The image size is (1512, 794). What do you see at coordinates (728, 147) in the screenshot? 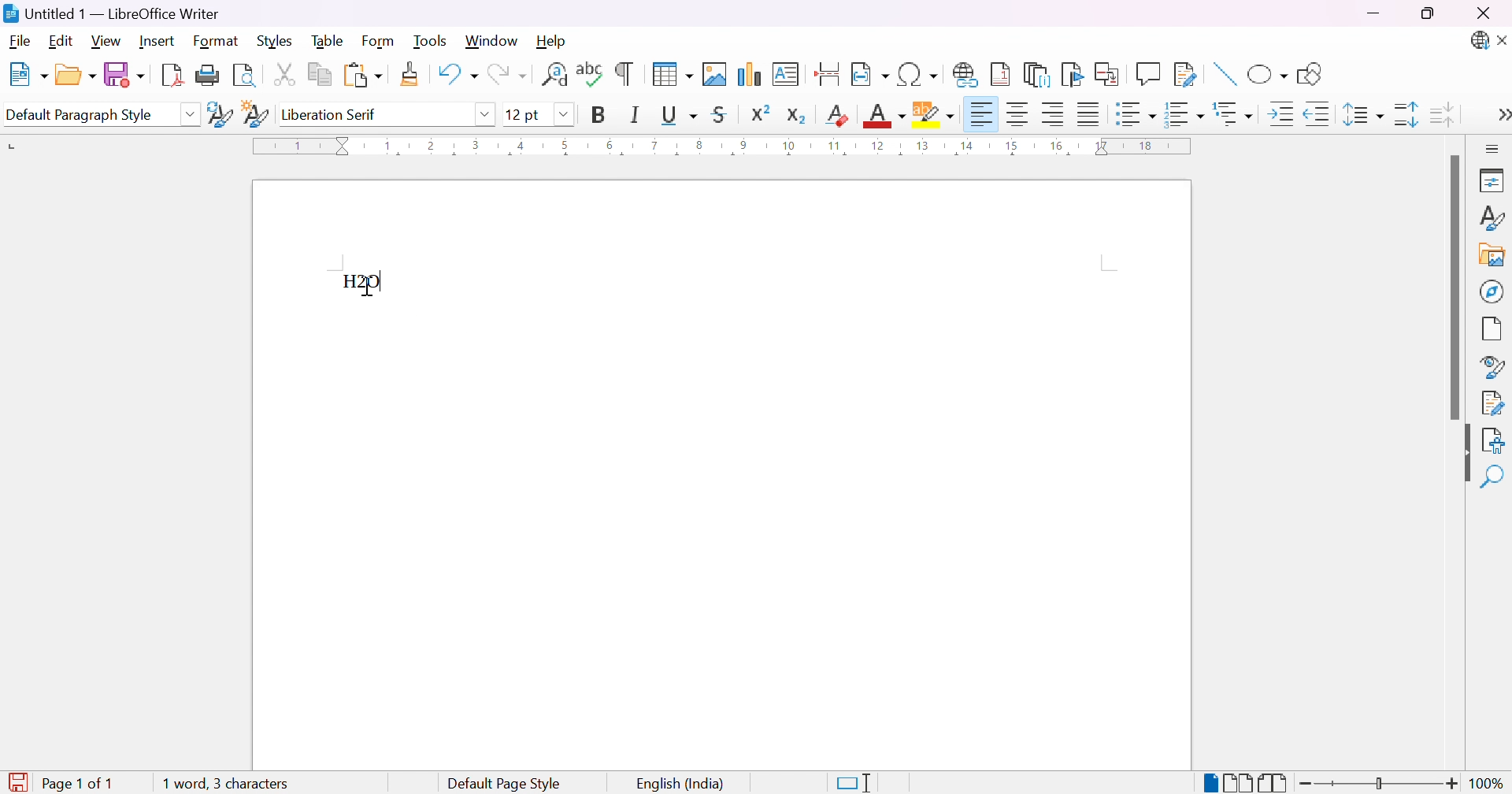
I see `Ruler` at bounding box center [728, 147].